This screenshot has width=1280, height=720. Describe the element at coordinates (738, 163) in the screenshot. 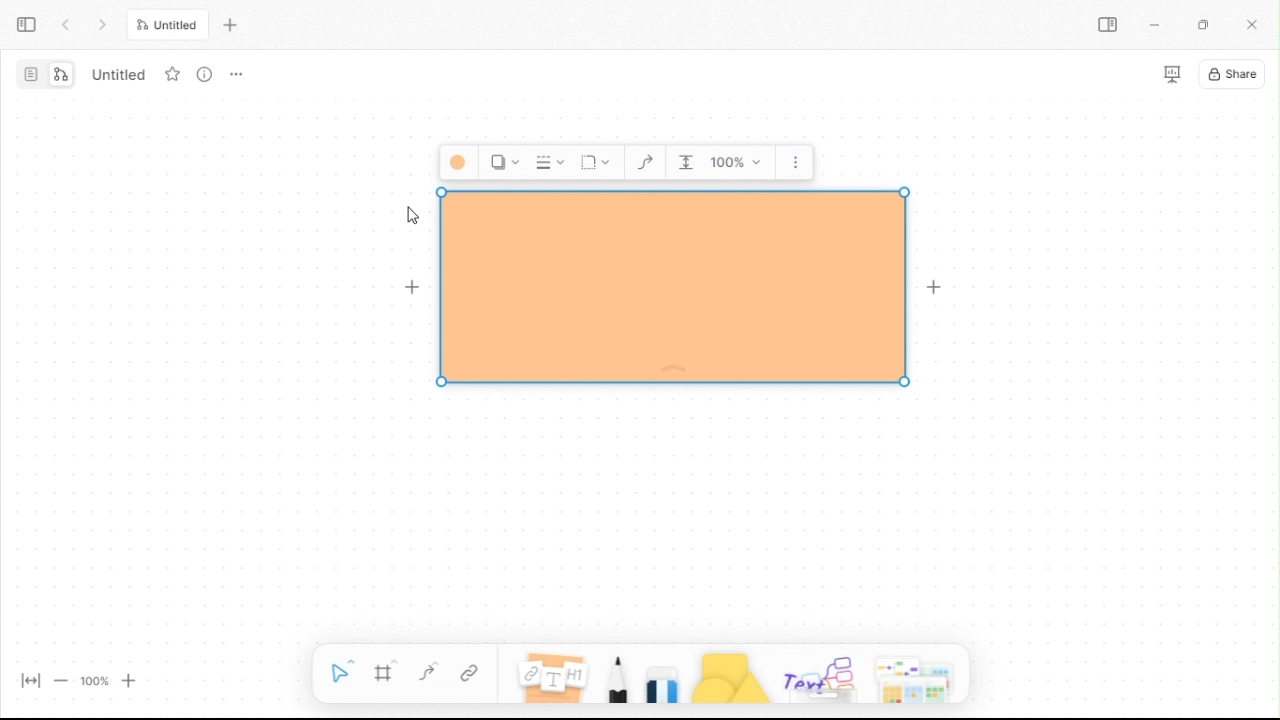

I see `Zoom` at that location.